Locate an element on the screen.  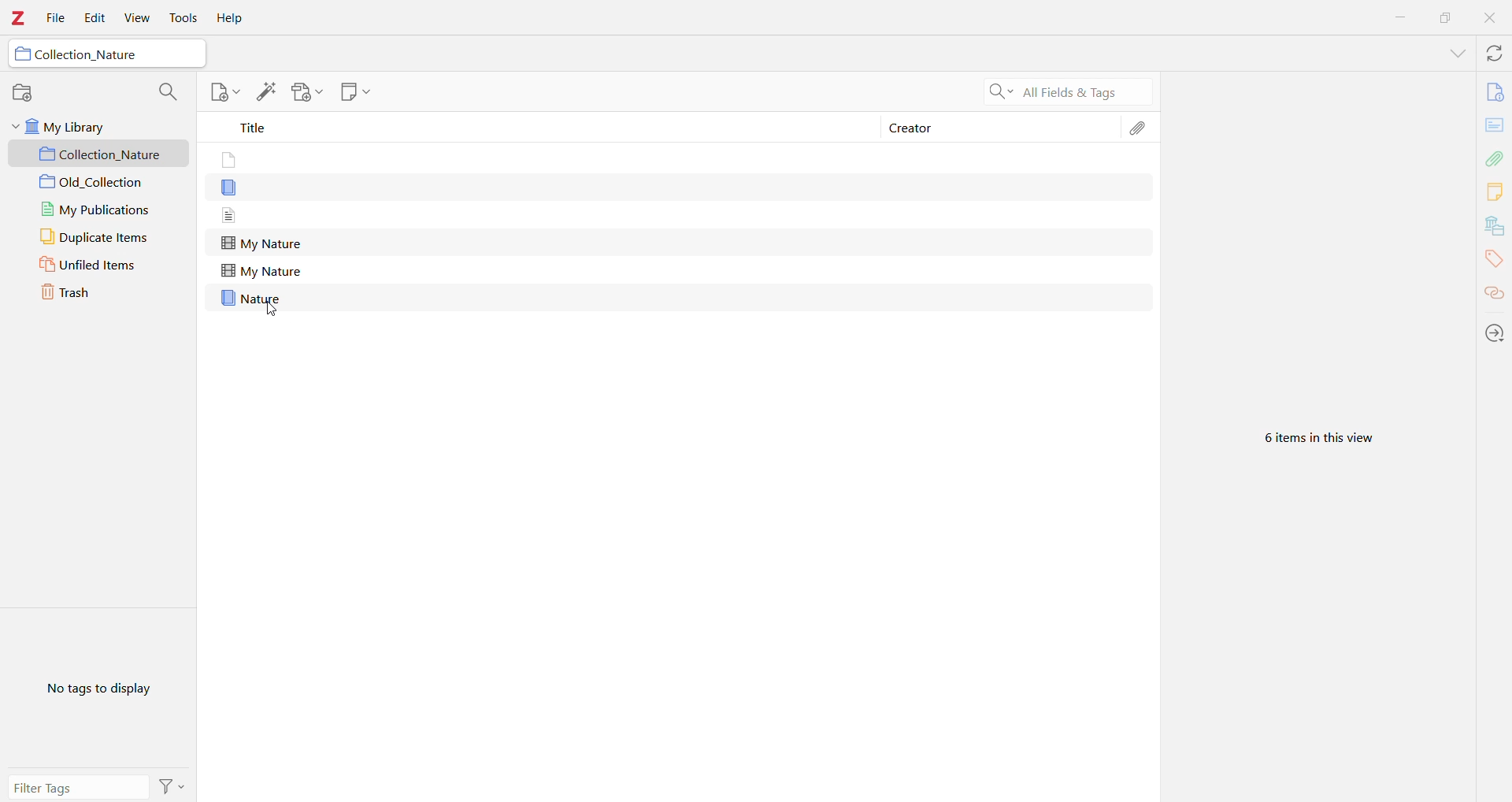
item without title  is located at coordinates (230, 215).